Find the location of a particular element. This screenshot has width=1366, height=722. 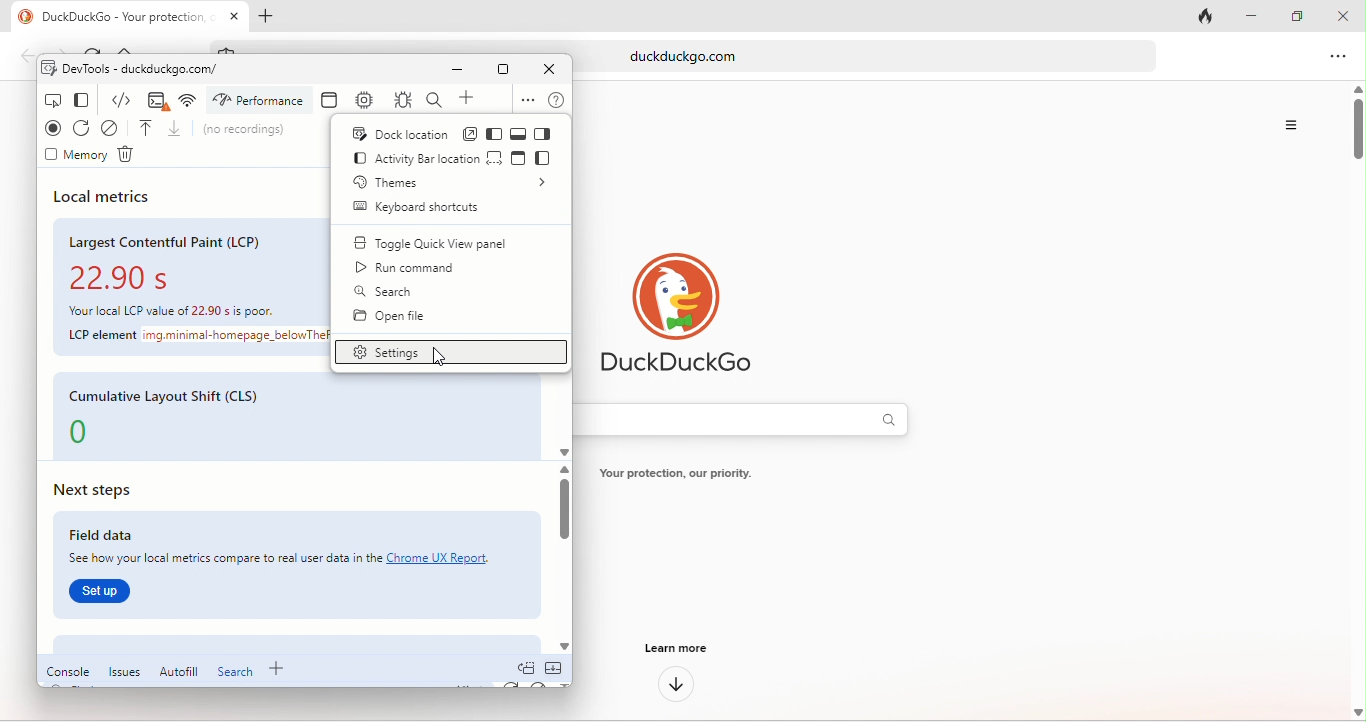

open file is located at coordinates (395, 316).